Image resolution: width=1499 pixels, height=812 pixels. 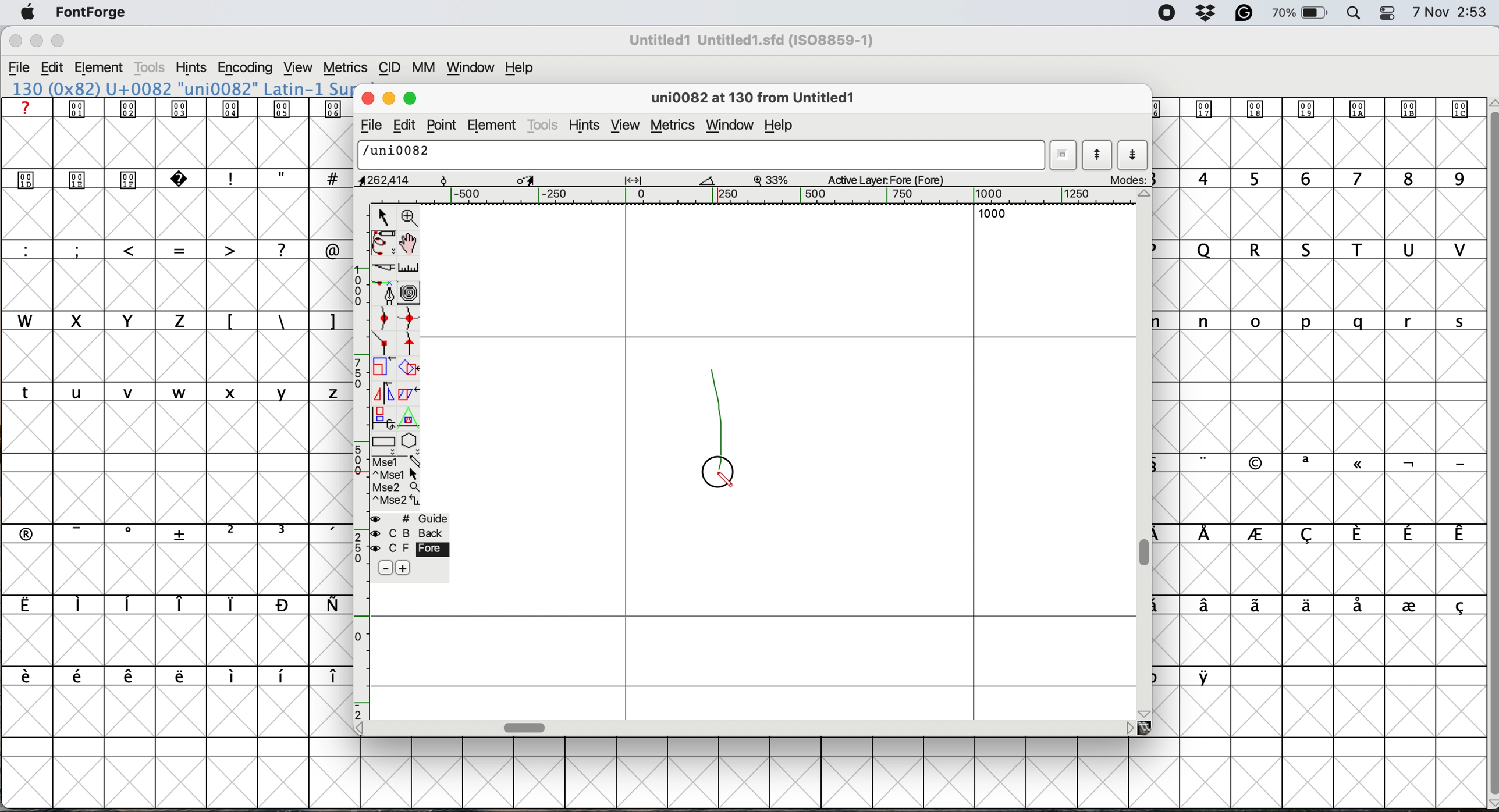 I want to click on select, so click(x=384, y=215).